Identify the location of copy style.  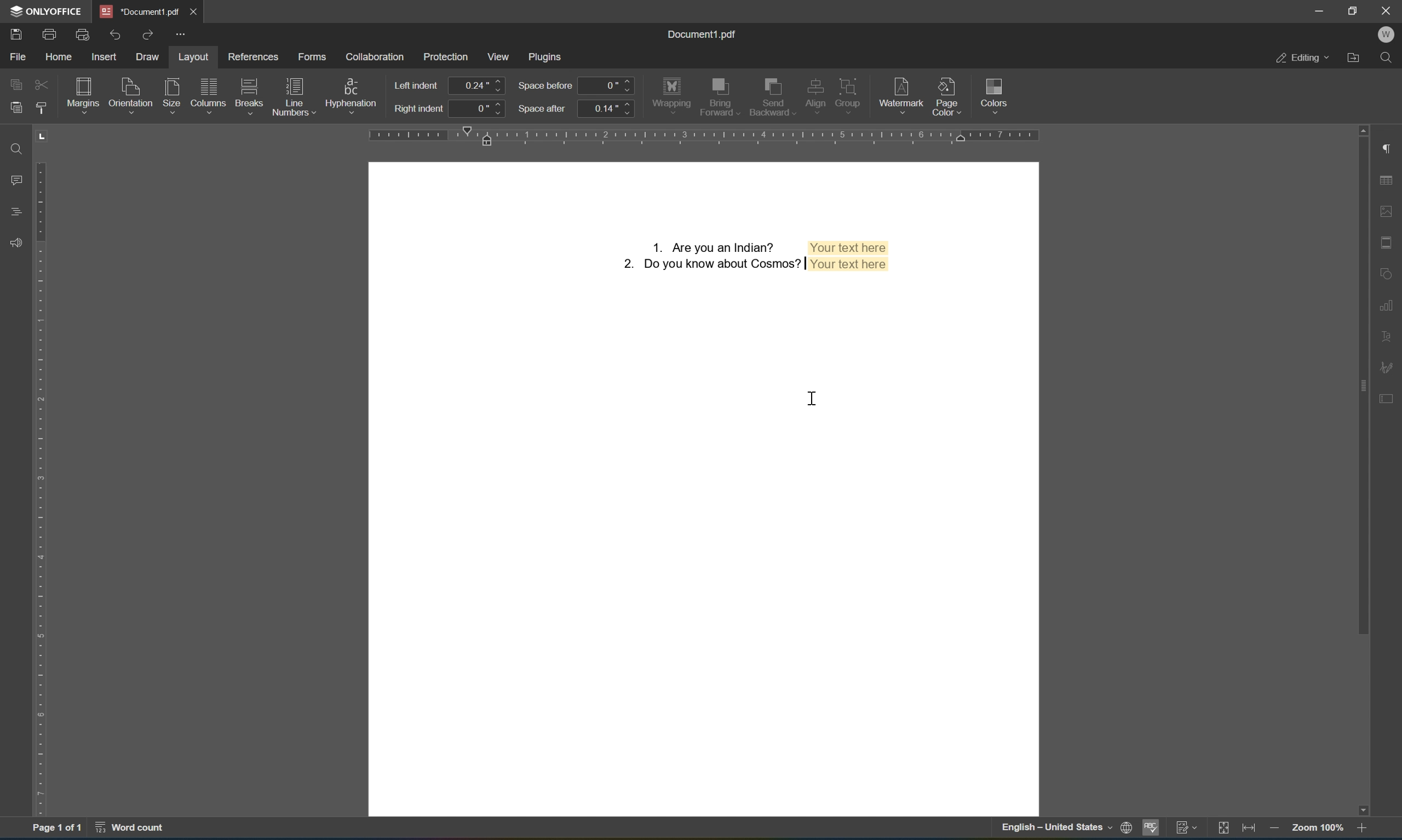
(40, 107).